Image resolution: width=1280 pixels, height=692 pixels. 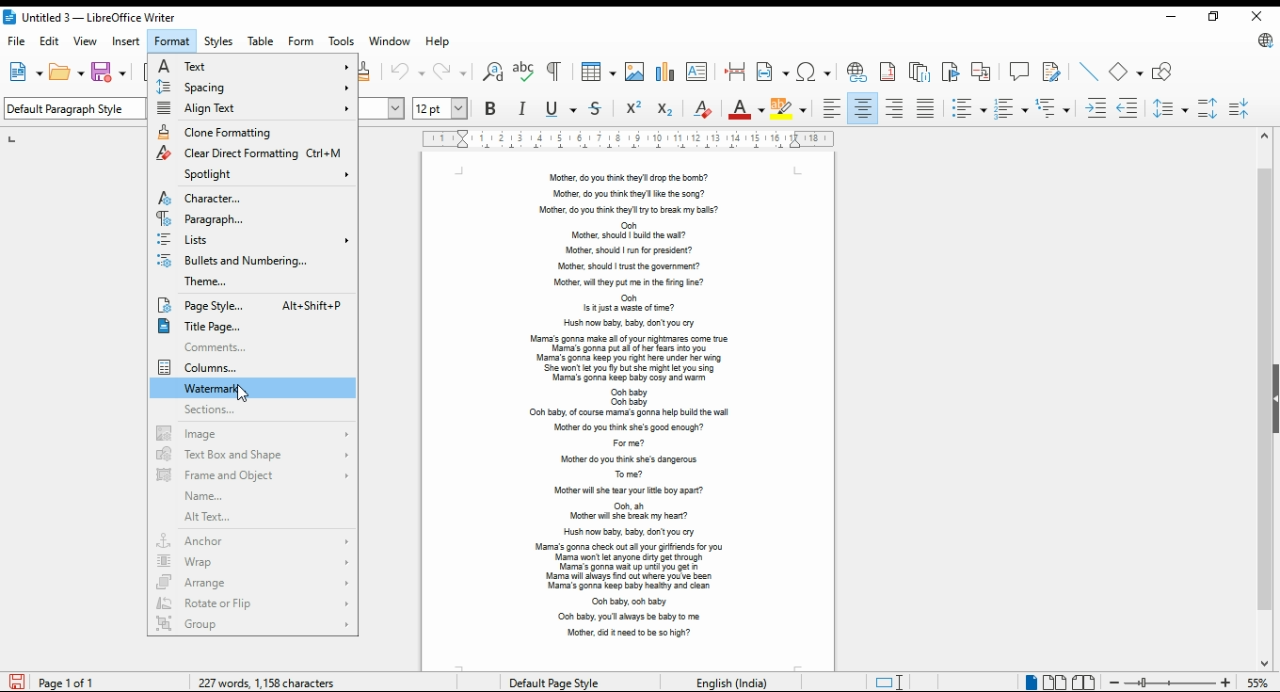 I want to click on insert page break, so click(x=737, y=72).